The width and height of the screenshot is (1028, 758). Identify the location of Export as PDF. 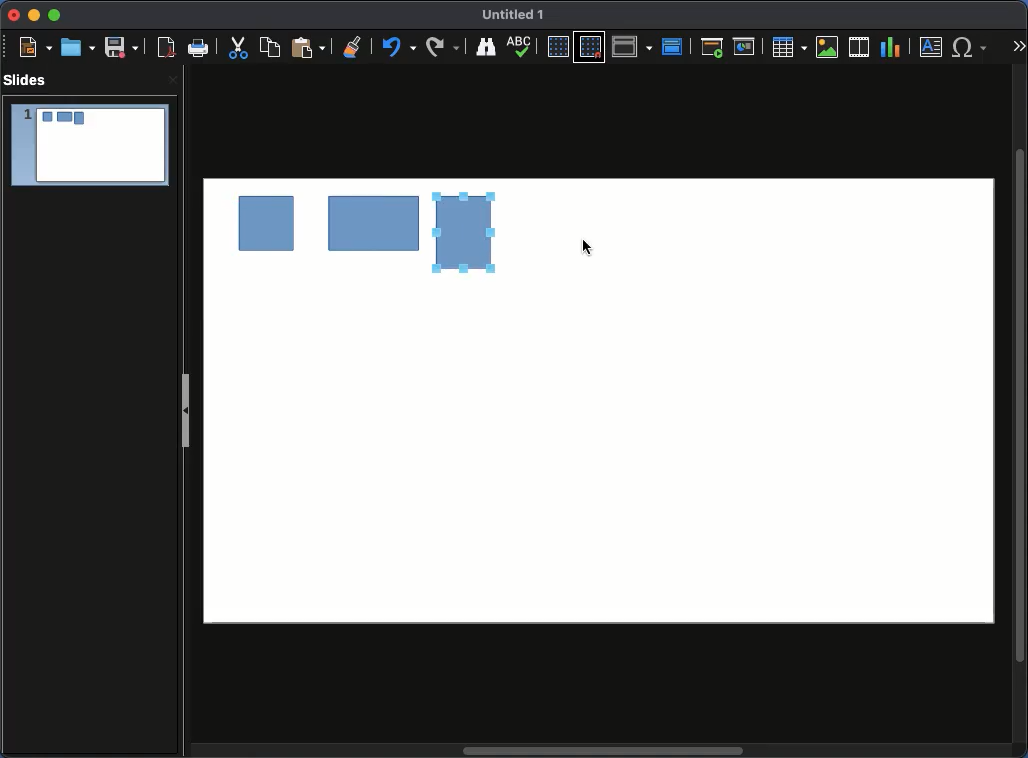
(163, 48).